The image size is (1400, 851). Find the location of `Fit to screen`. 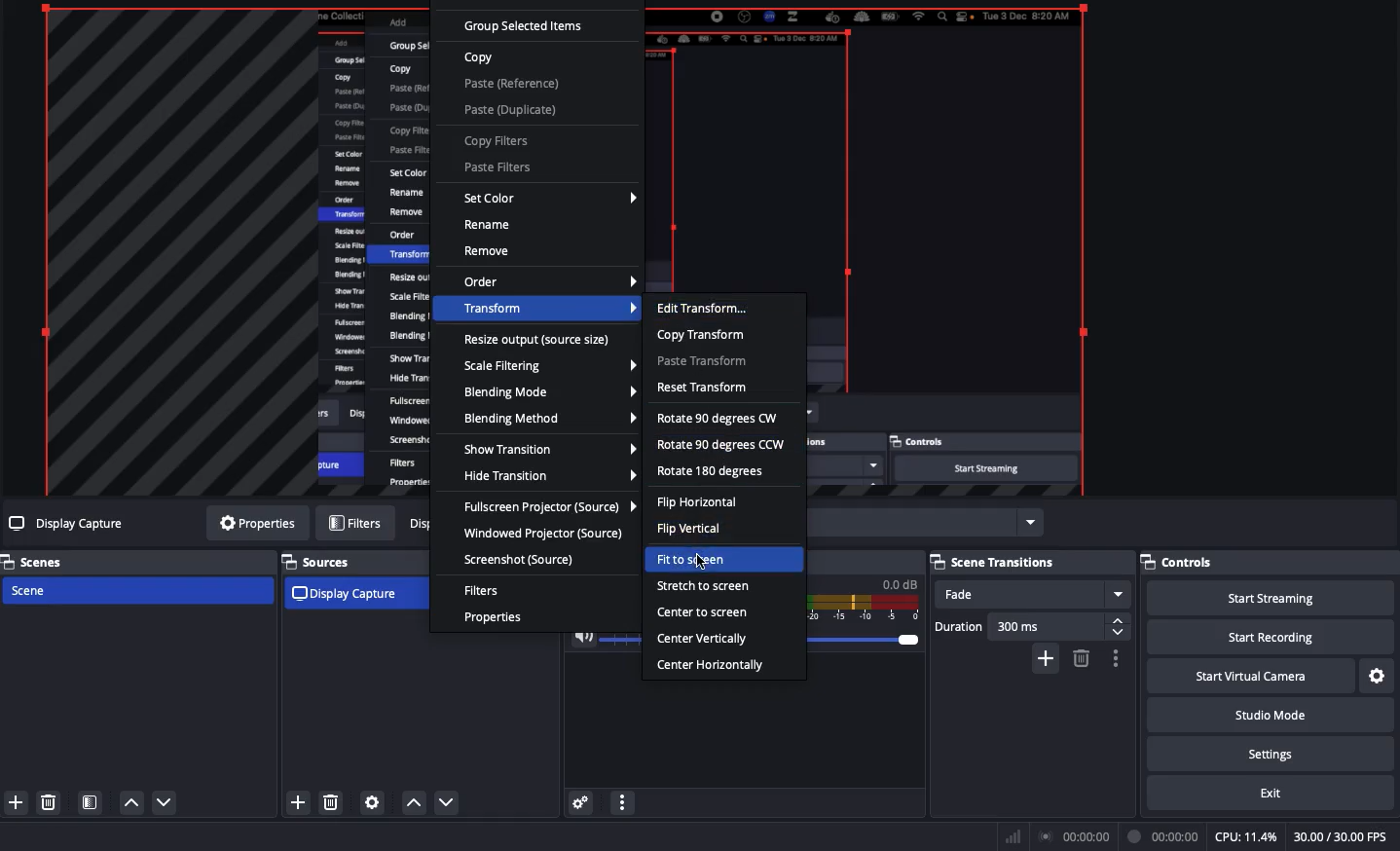

Fit to screen is located at coordinates (697, 560).